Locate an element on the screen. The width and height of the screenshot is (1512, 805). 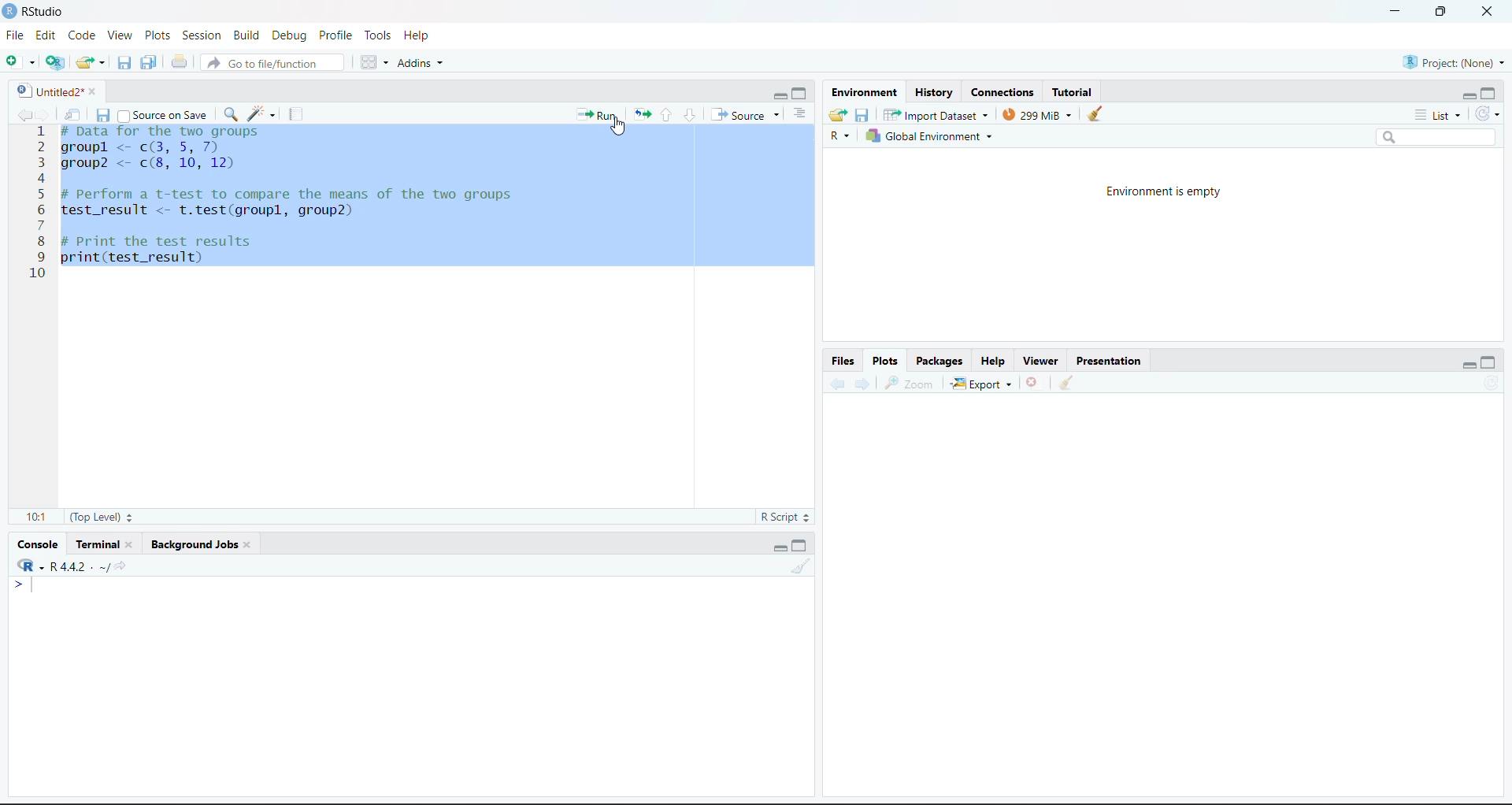
list is located at coordinates (1441, 116).